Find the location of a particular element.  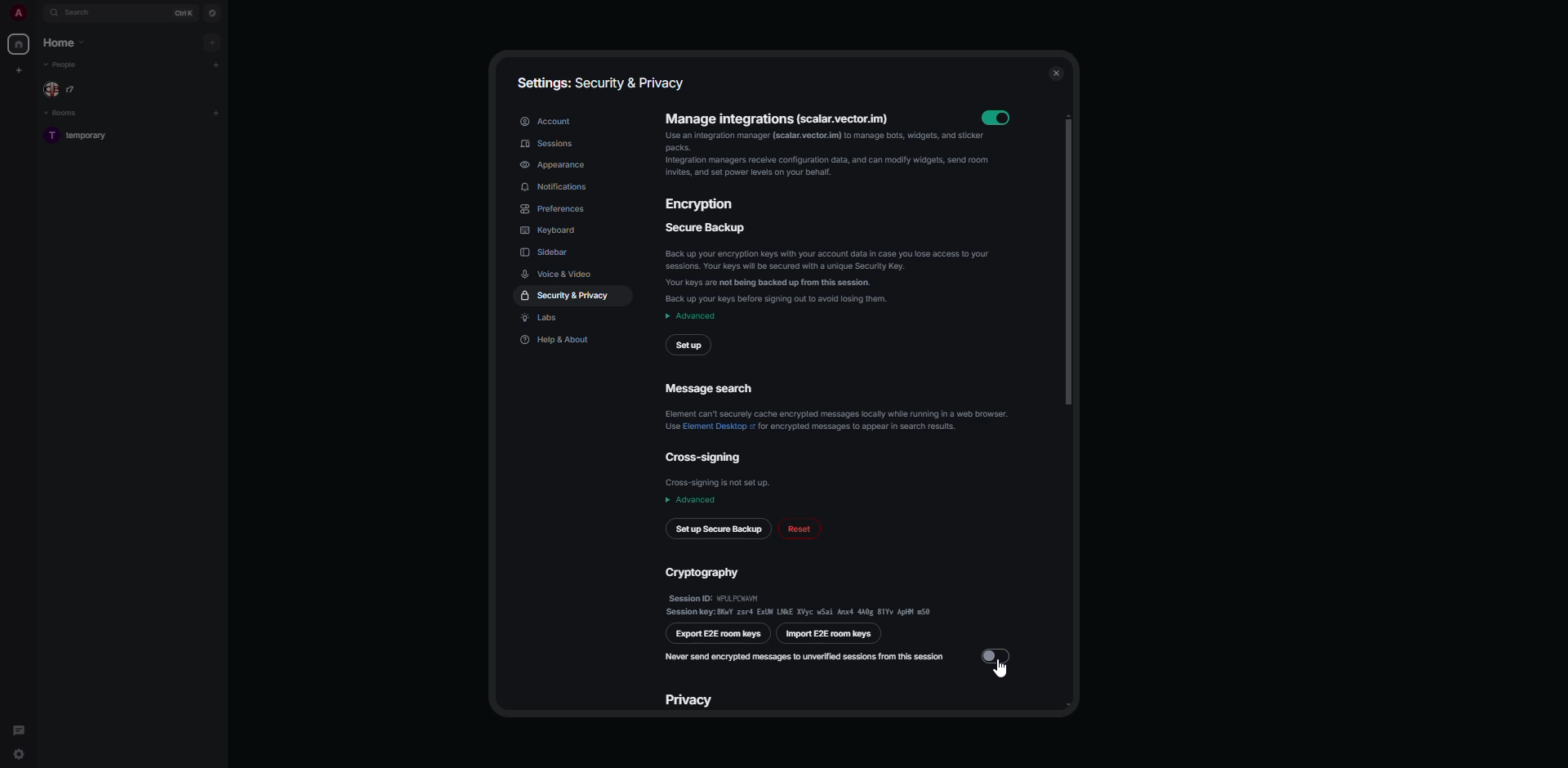

preferences is located at coordinates (562, 209).